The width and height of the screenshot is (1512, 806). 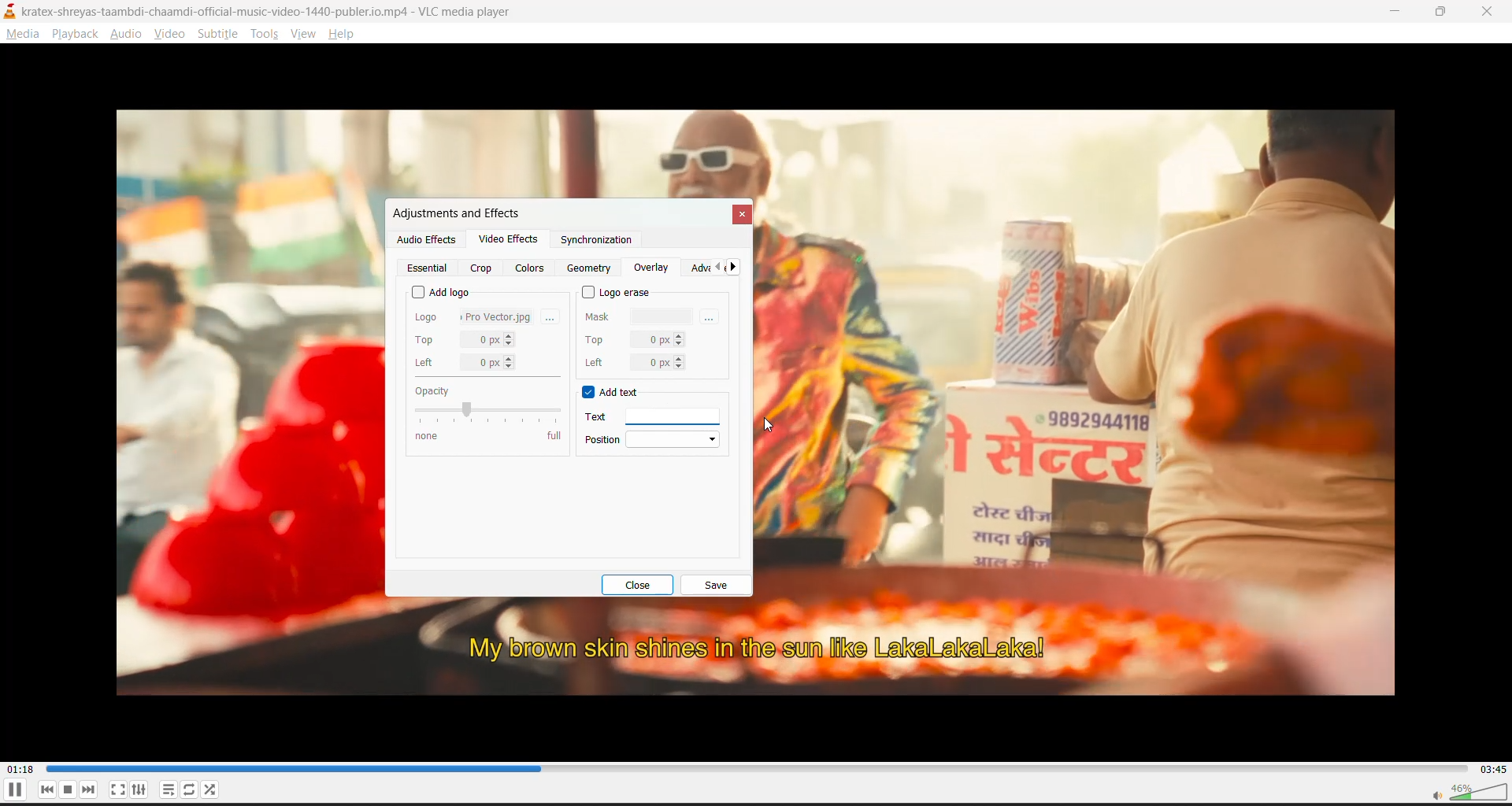 I want to click on left, so click(x=466, y=363).